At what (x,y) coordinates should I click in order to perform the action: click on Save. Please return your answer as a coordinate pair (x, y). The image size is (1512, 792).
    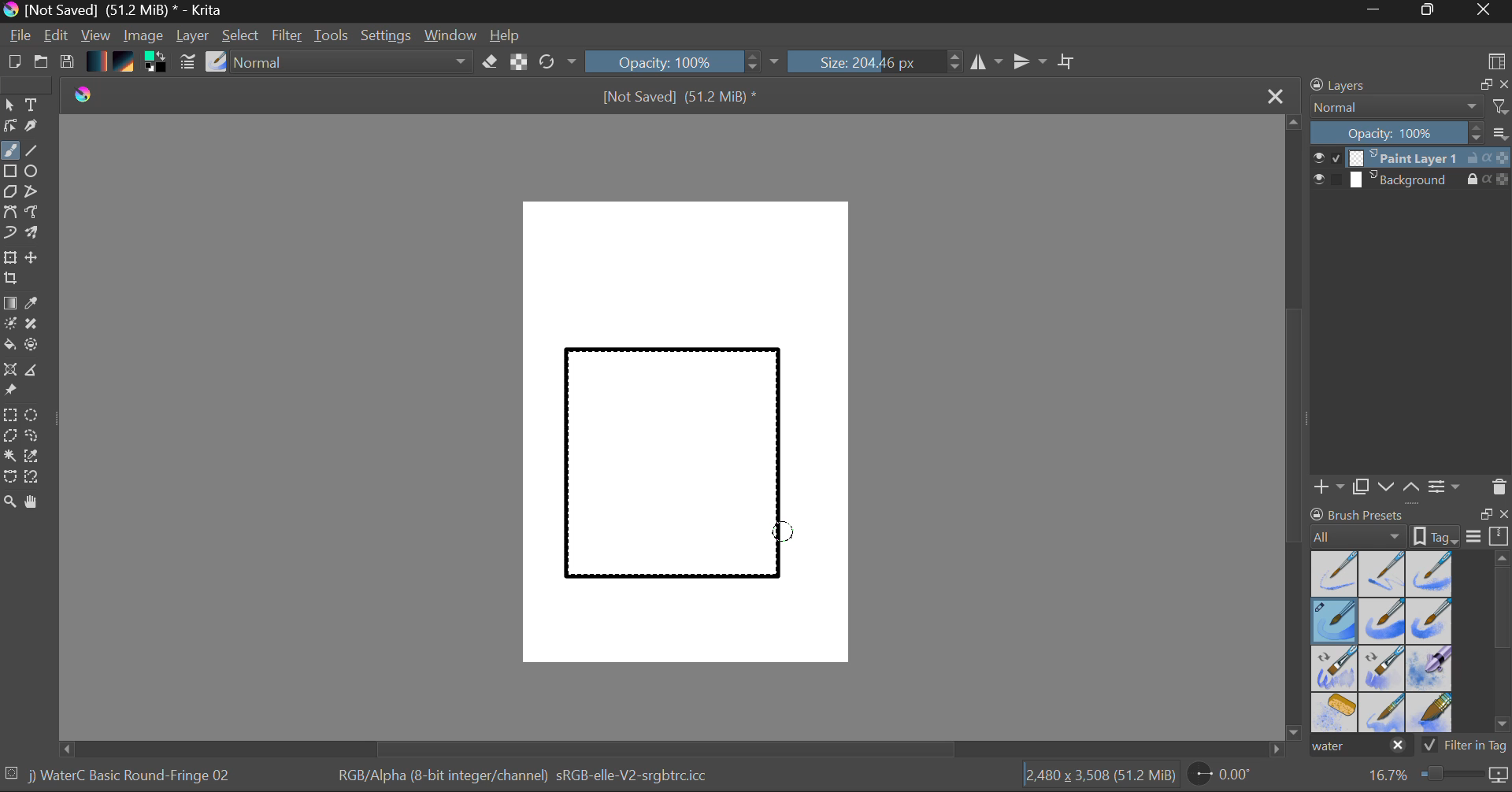
    Looking at the image, I should click on (66, 63).